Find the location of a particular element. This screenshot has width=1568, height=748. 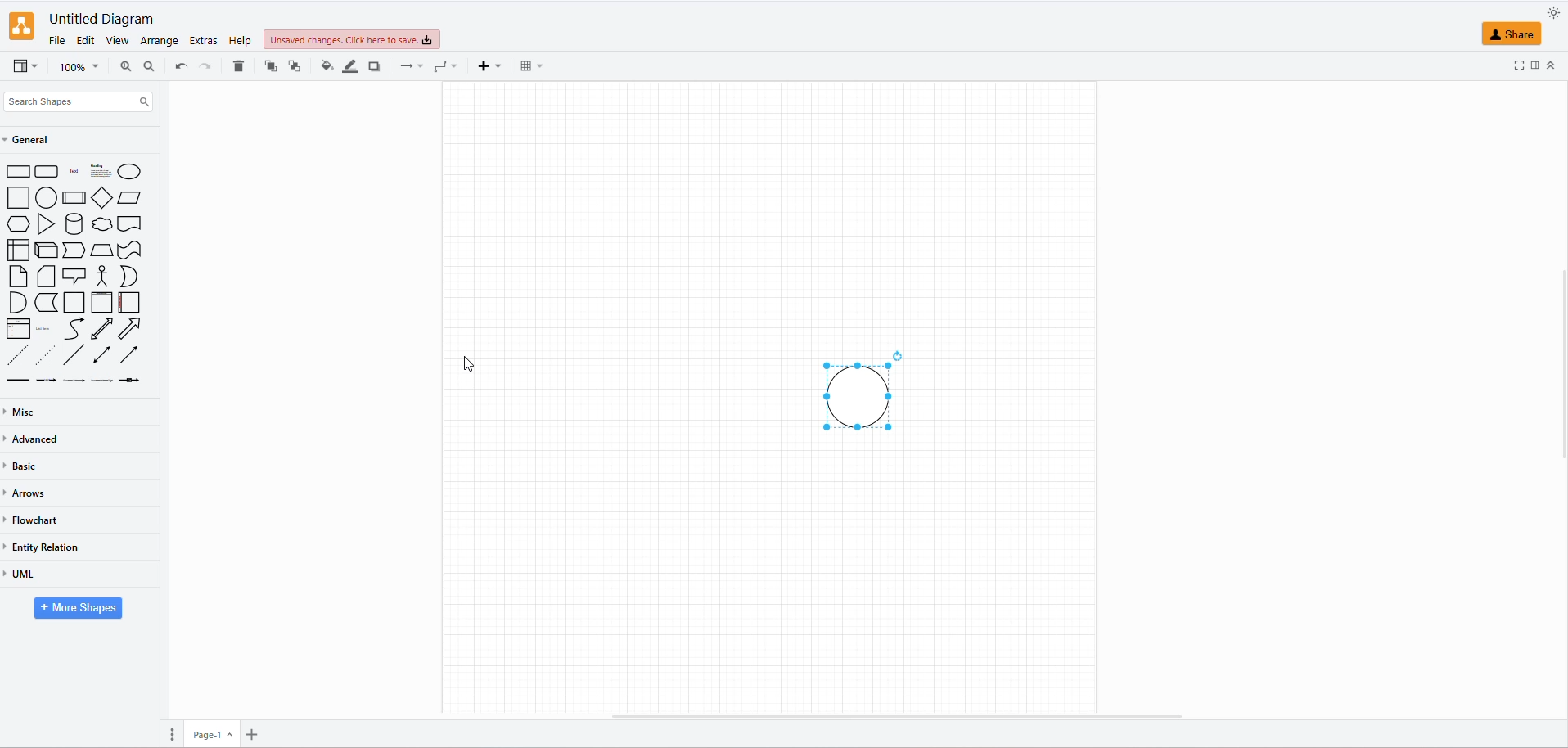

BIDIRECTIONAL is located at coordinates (100, 330).